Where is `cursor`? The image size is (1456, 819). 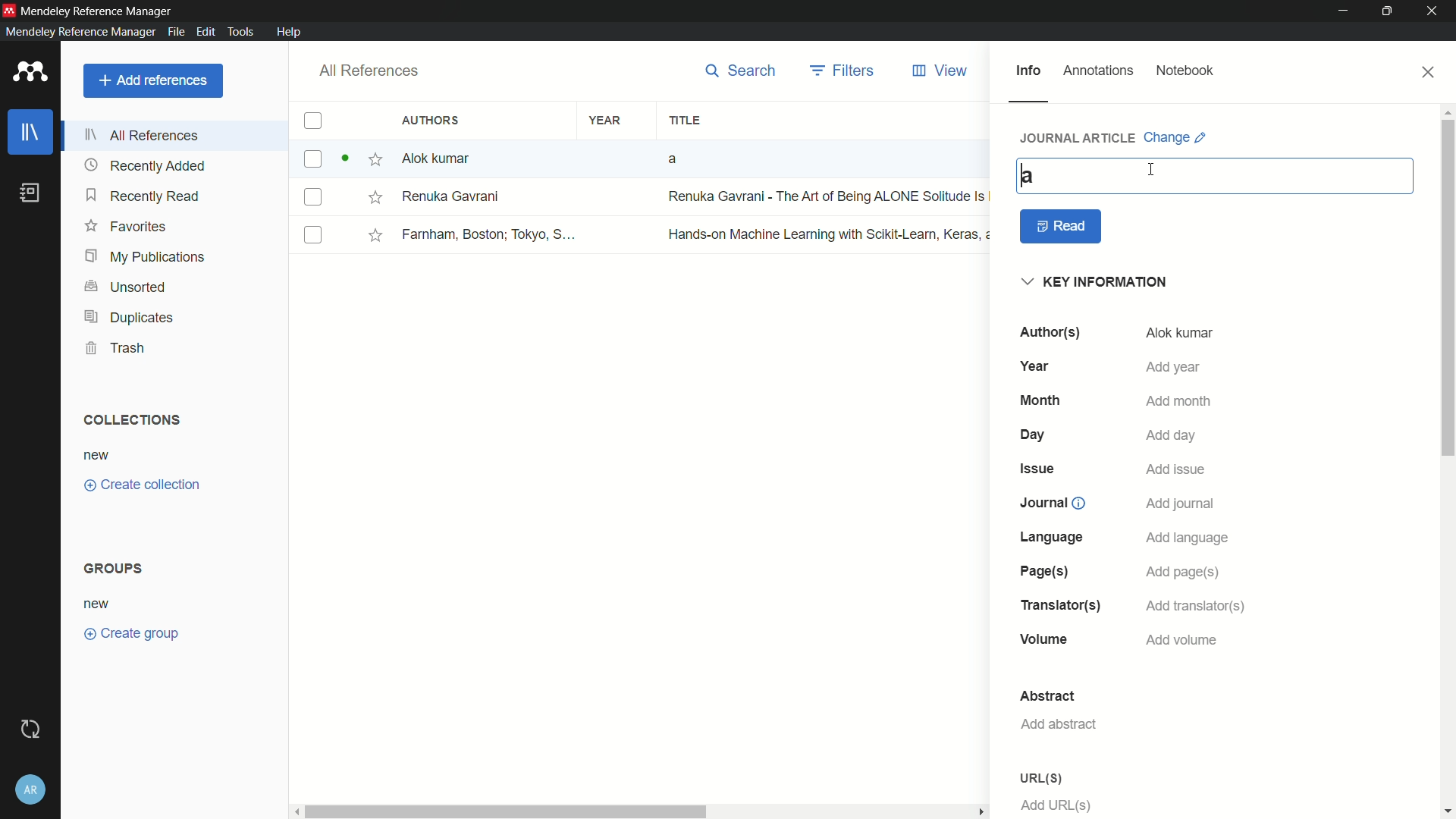
cursor is located at coordinates (1150, 168).